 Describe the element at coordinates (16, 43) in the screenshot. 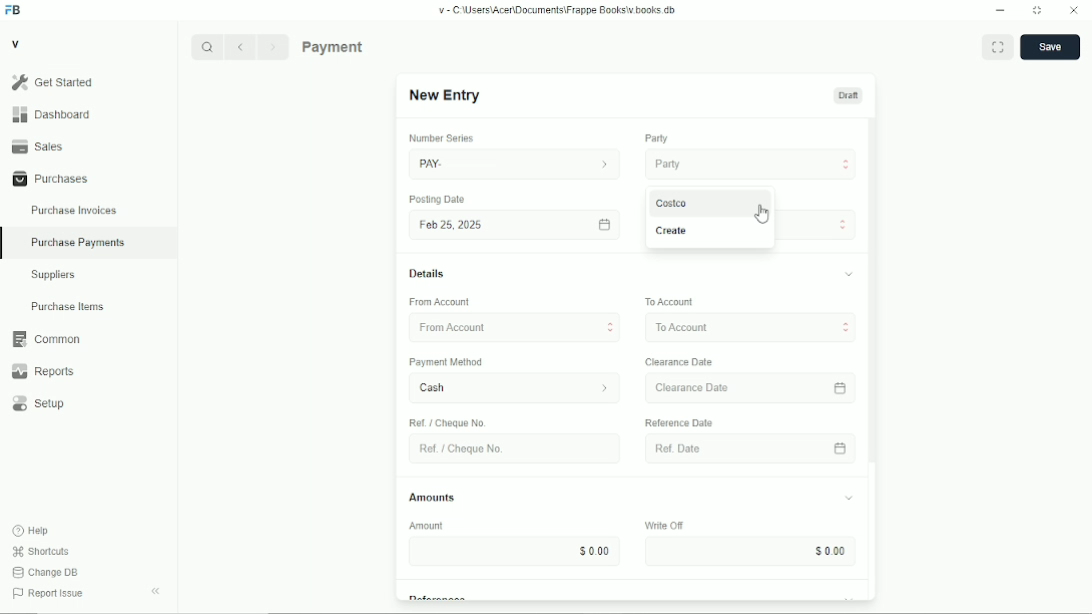

I see `V` at that location.